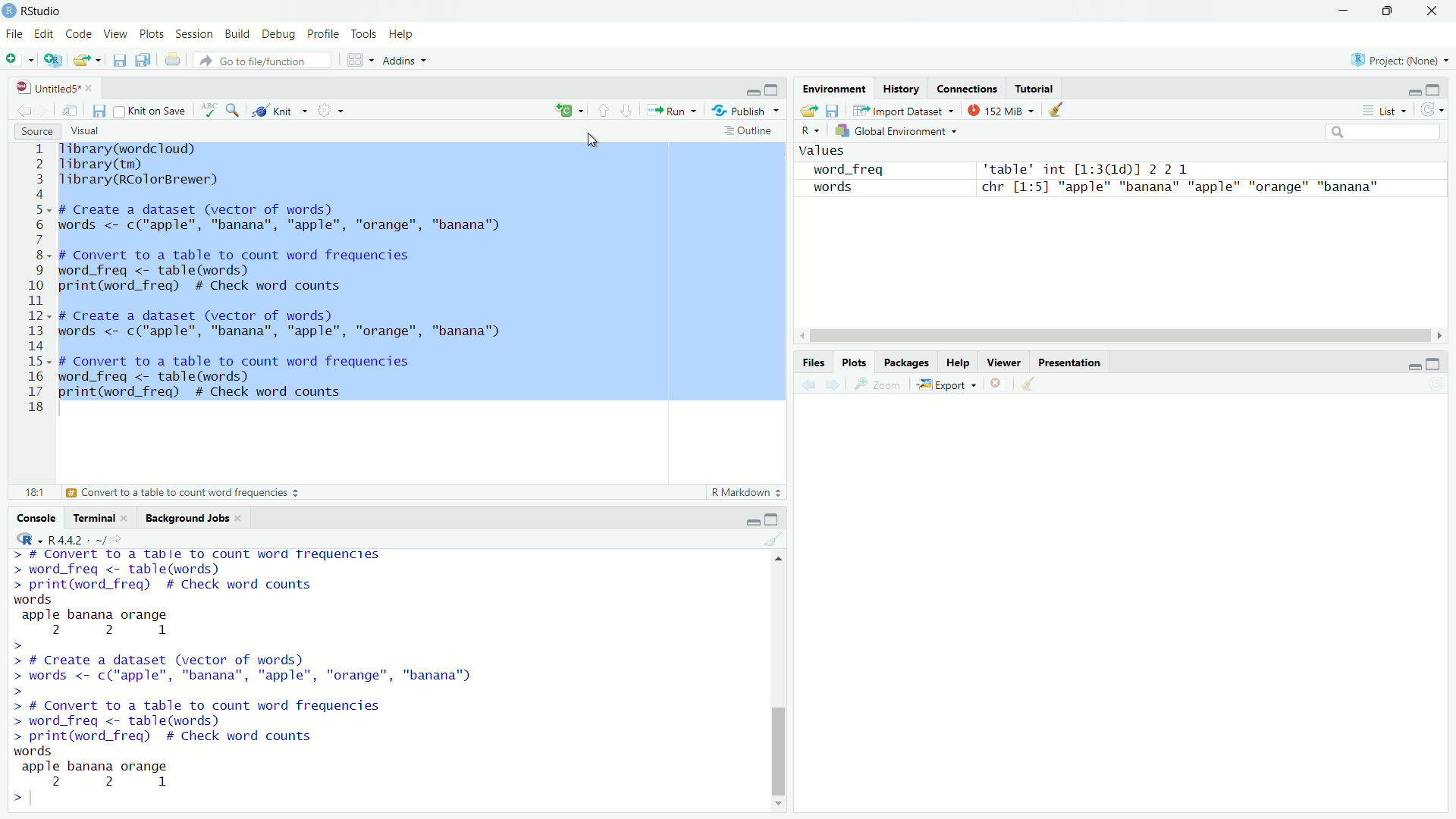 This screenshot has height=819, width=1456. Describe the element at coordinates (86, 60) in the screenshot. I see `Open an existing file` at that location.